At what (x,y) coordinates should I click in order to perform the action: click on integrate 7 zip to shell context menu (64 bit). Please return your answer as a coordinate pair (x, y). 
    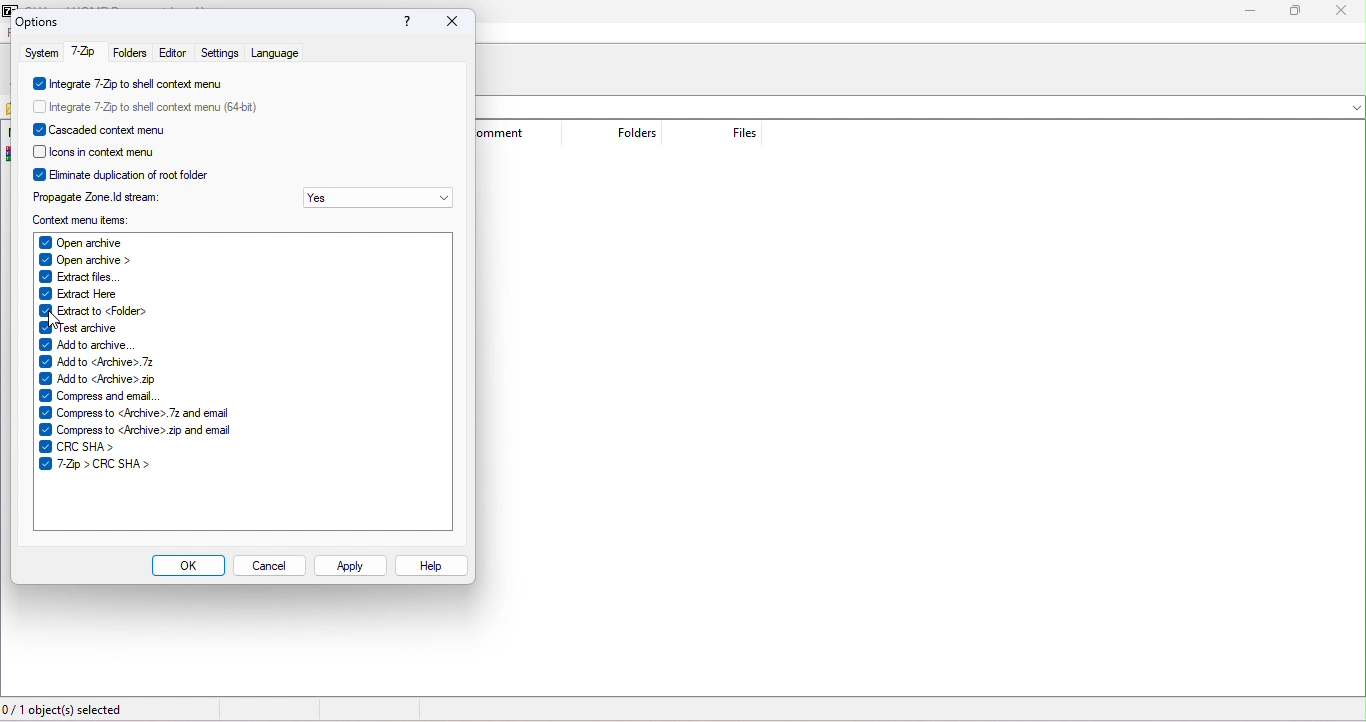
    Looking at the image, I should click on (155, 104).